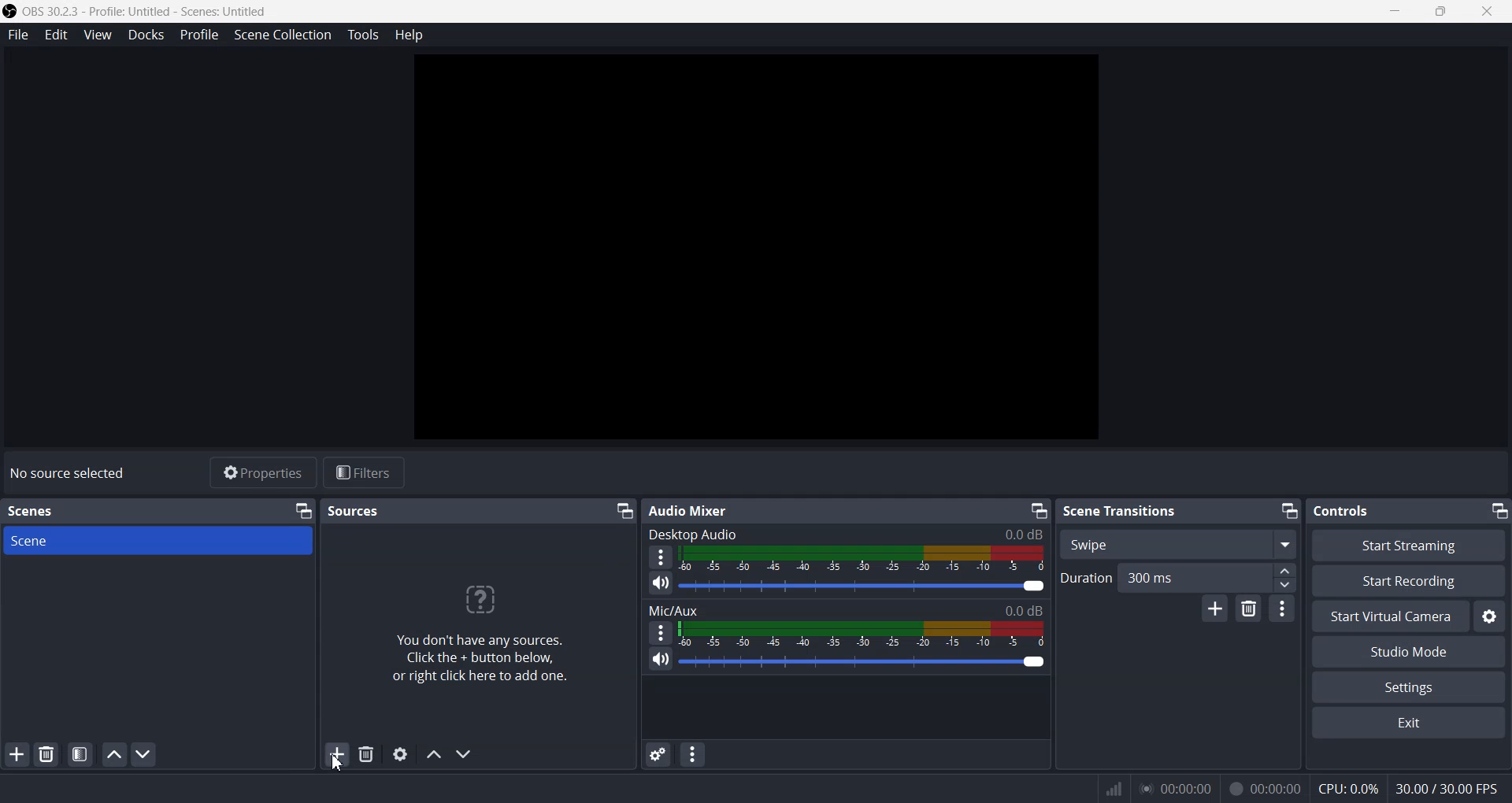  Describe the element at coordinates (1408, 580) in the screenshot. I see `Start Recording` at that location.